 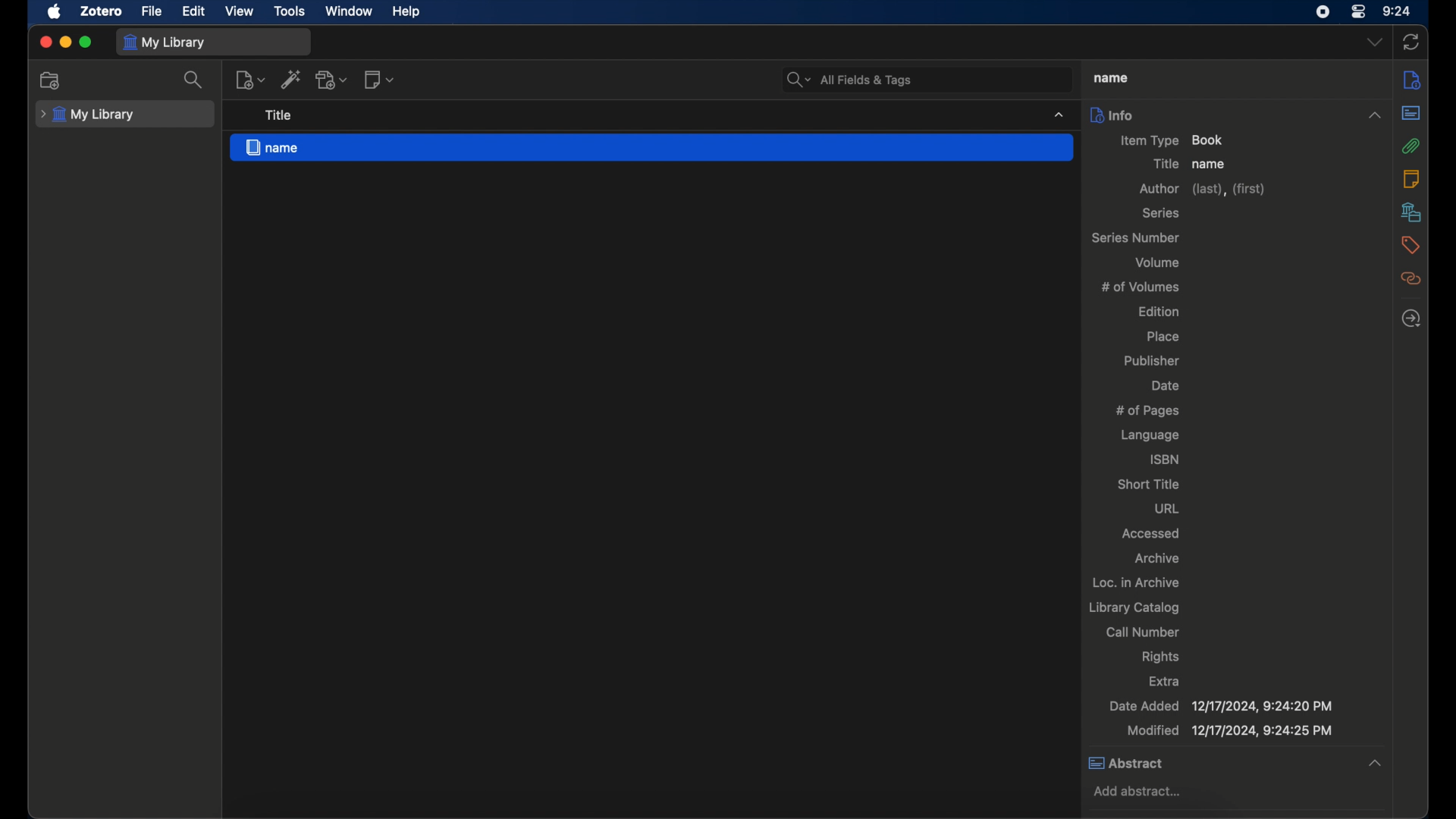 I want to click on loc. in archive, so click(x=1138, y=582).